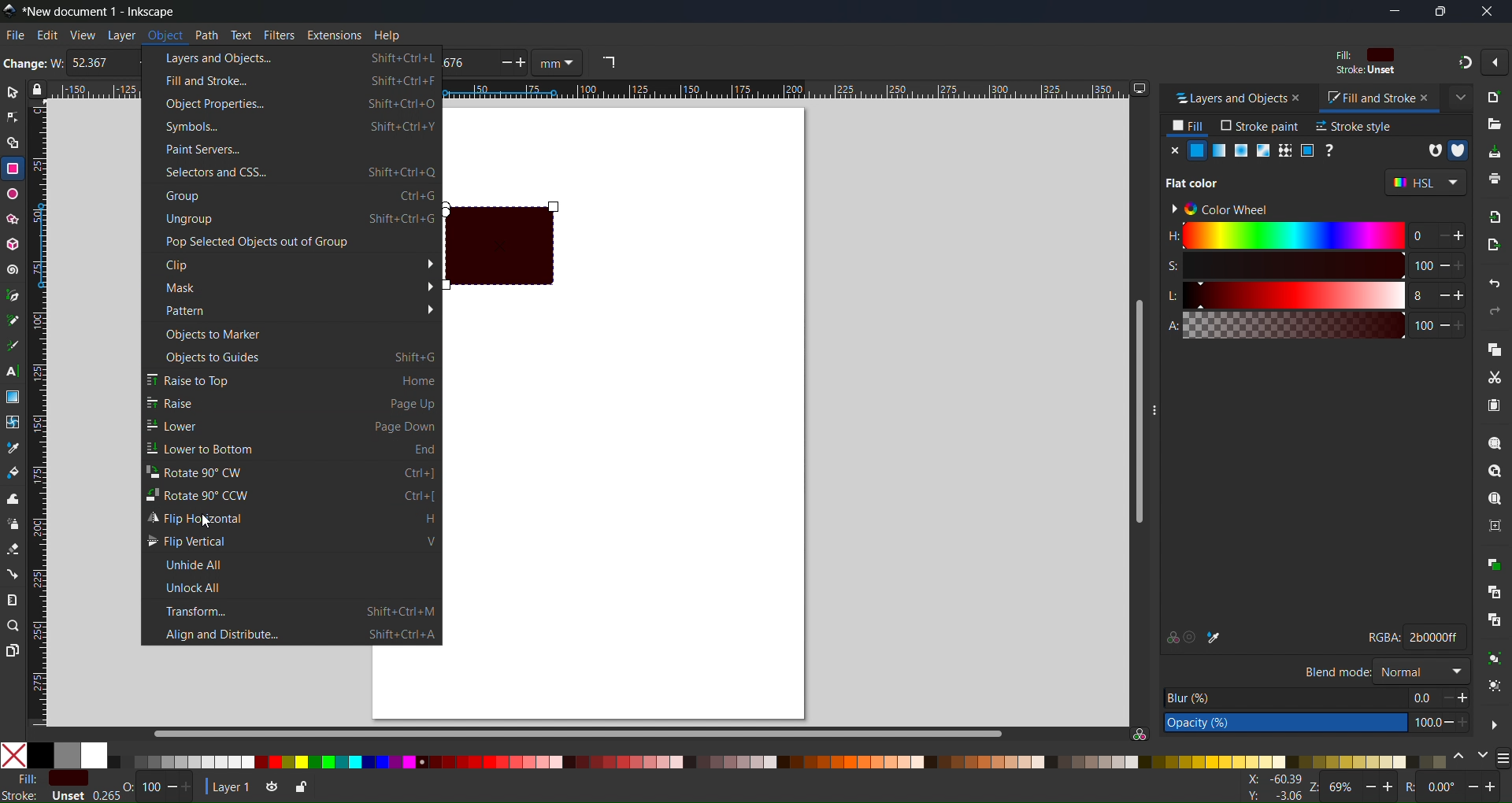 The width and height of the screenshot is (1512, 803). I want to click on star/ Polygon tool, so click(13, 219).